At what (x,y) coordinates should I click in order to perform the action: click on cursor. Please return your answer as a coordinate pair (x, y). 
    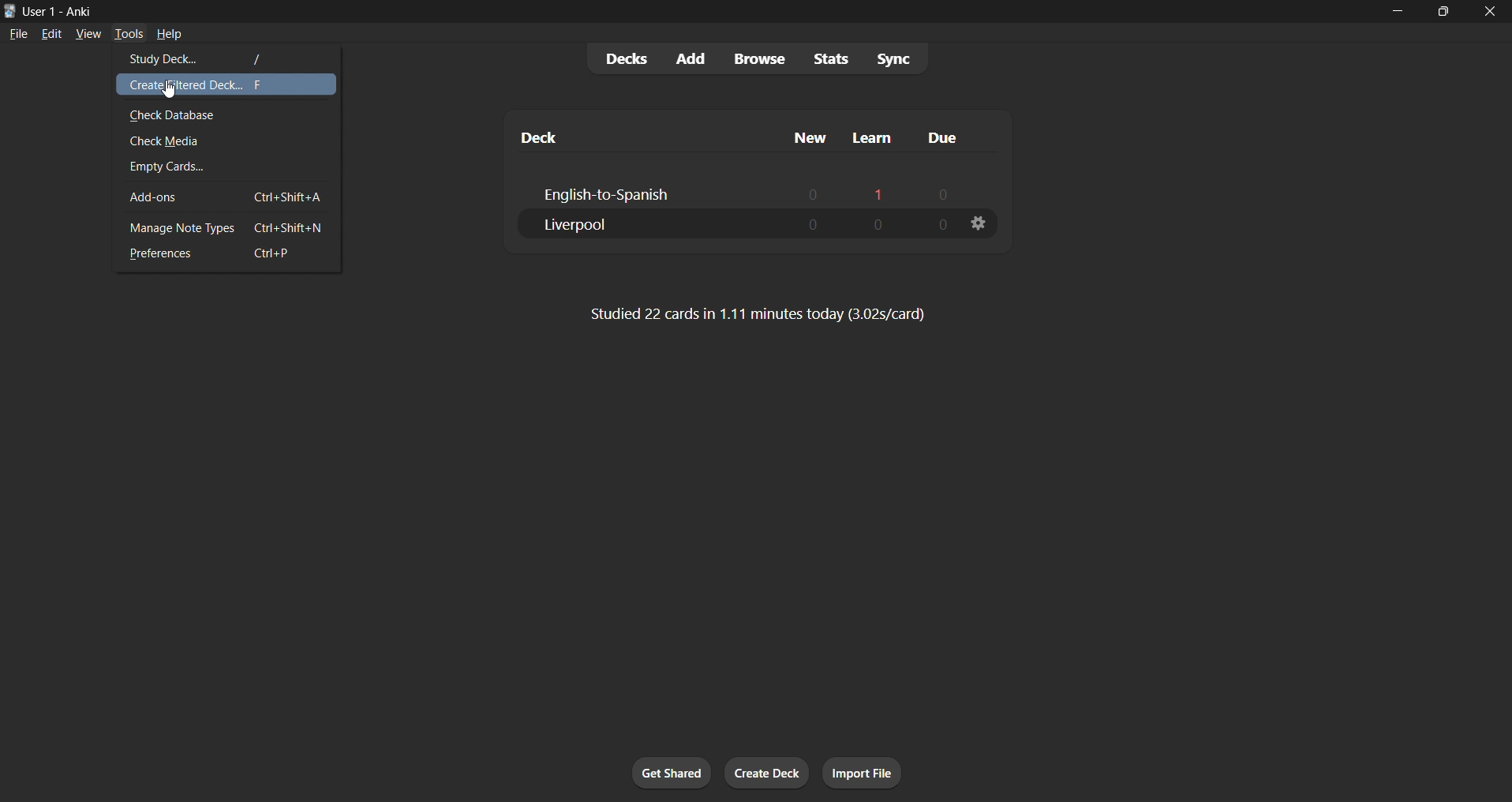
    Looking at the image, I should click on (166, 91).